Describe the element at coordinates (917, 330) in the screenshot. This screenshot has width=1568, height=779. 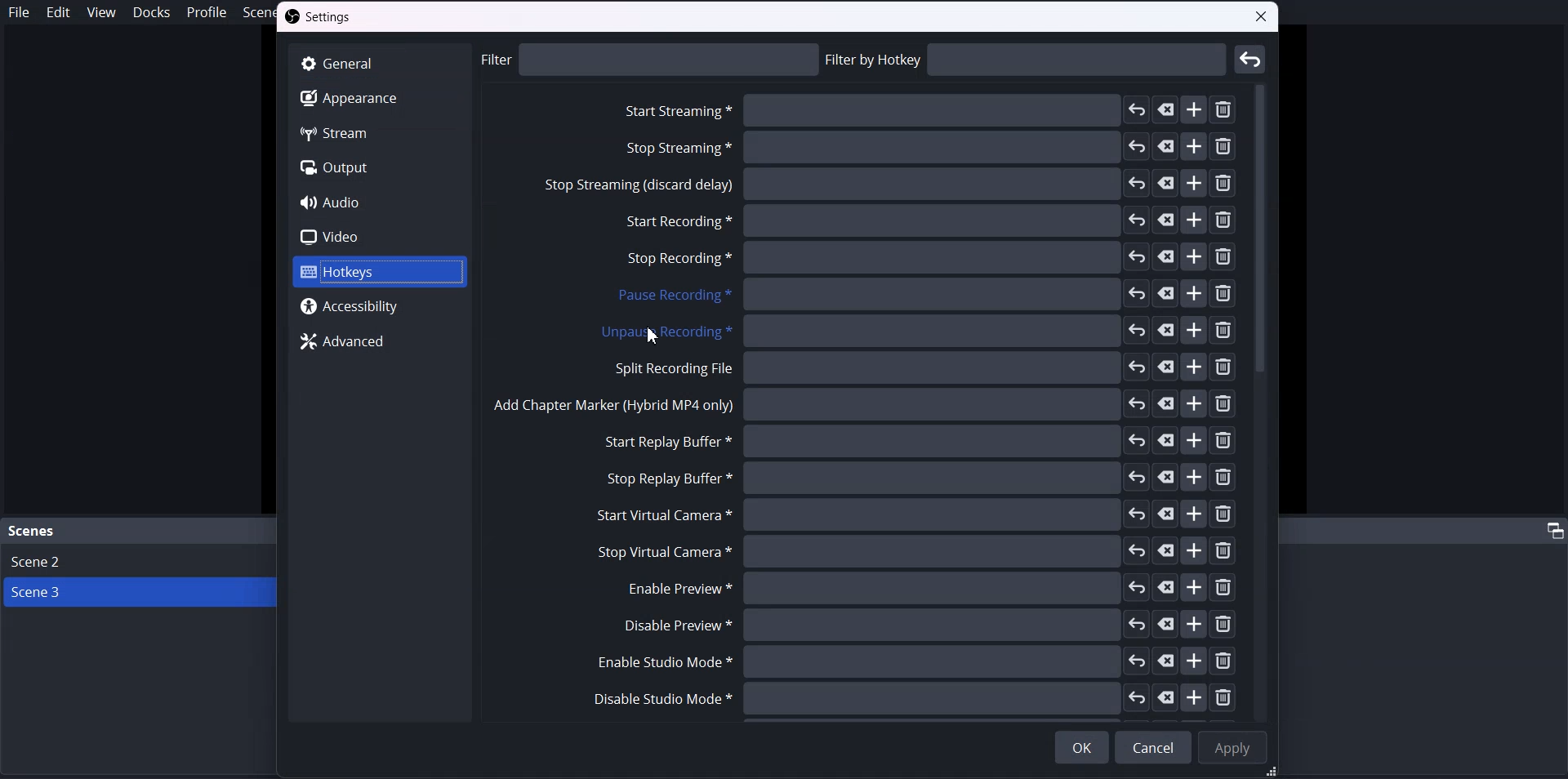
I see `Unpause recording` at that location.